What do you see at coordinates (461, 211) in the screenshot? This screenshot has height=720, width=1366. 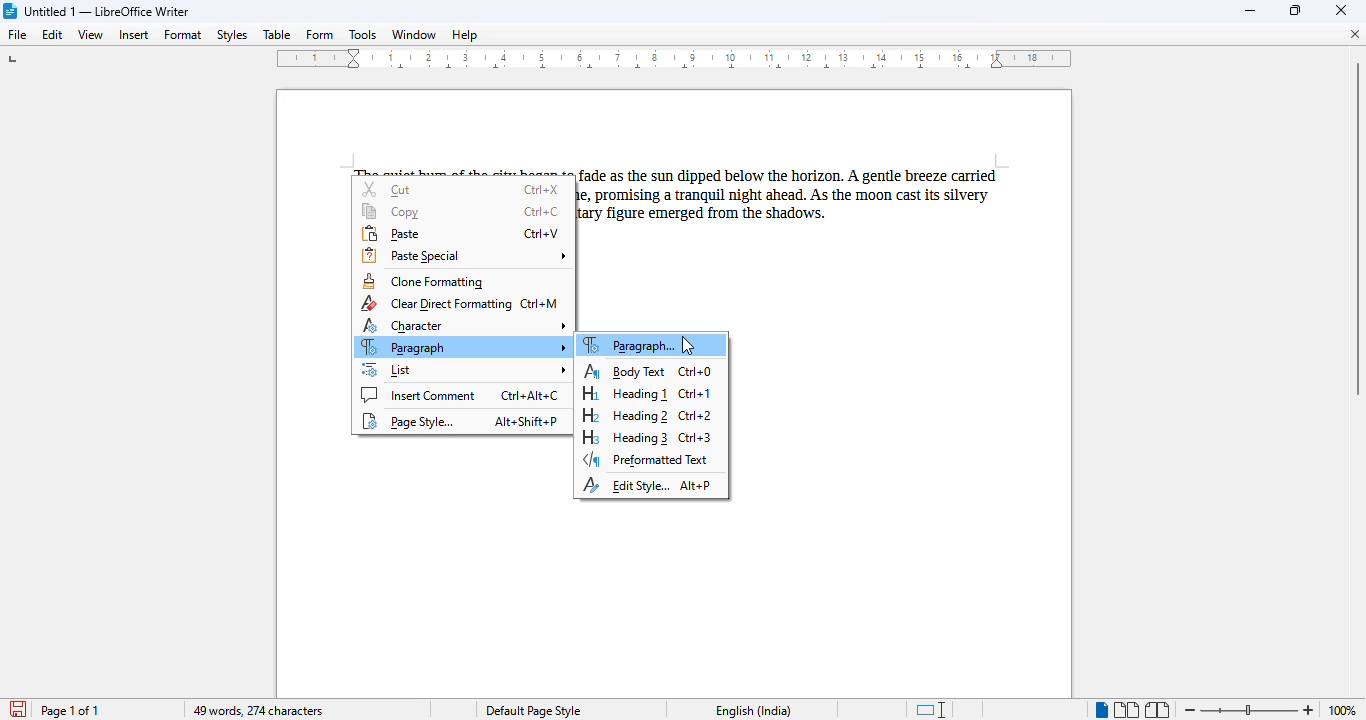 I see `copy` at bounding box center [461, 211].